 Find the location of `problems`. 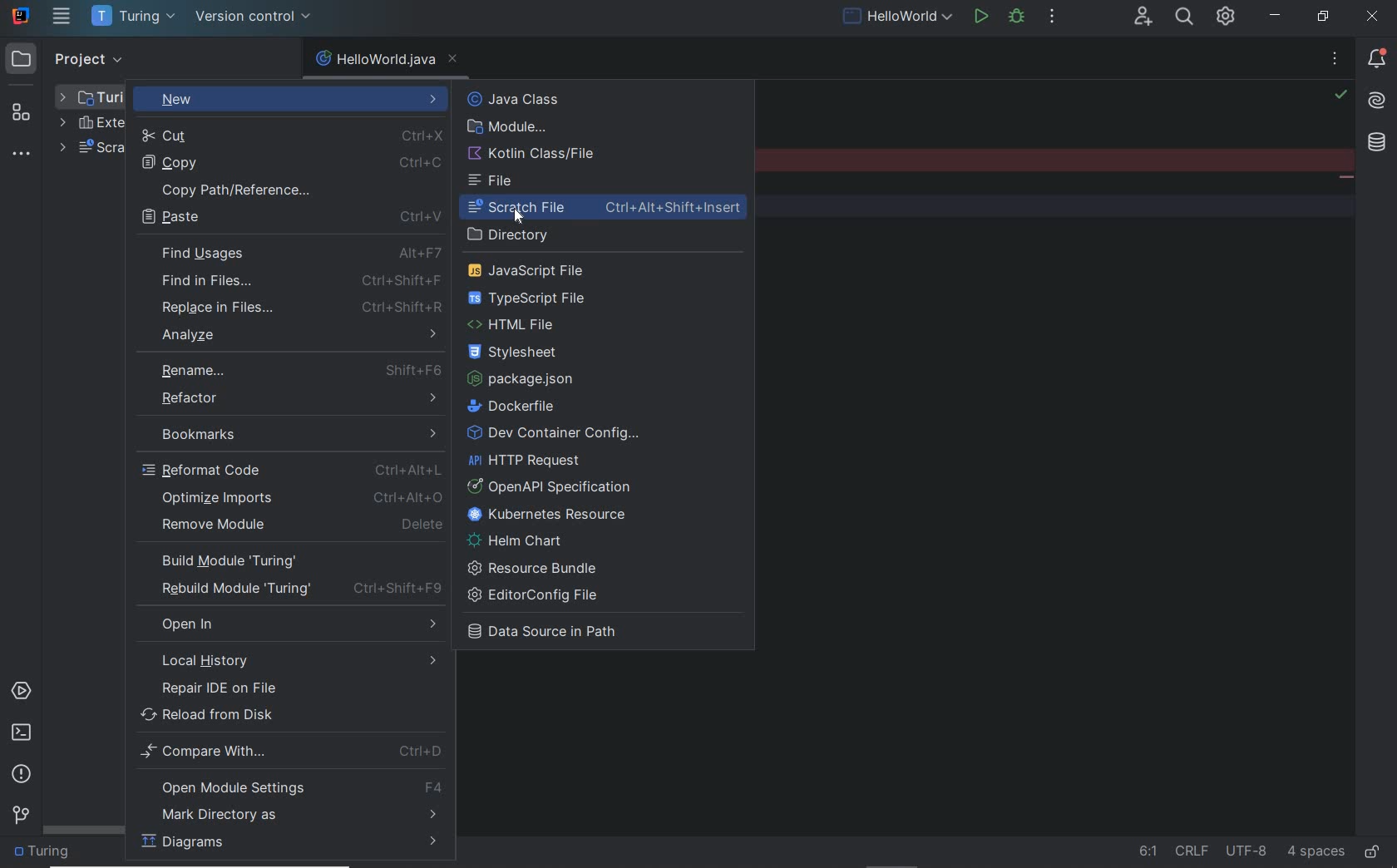

problems is located at coordinates (21, 775).